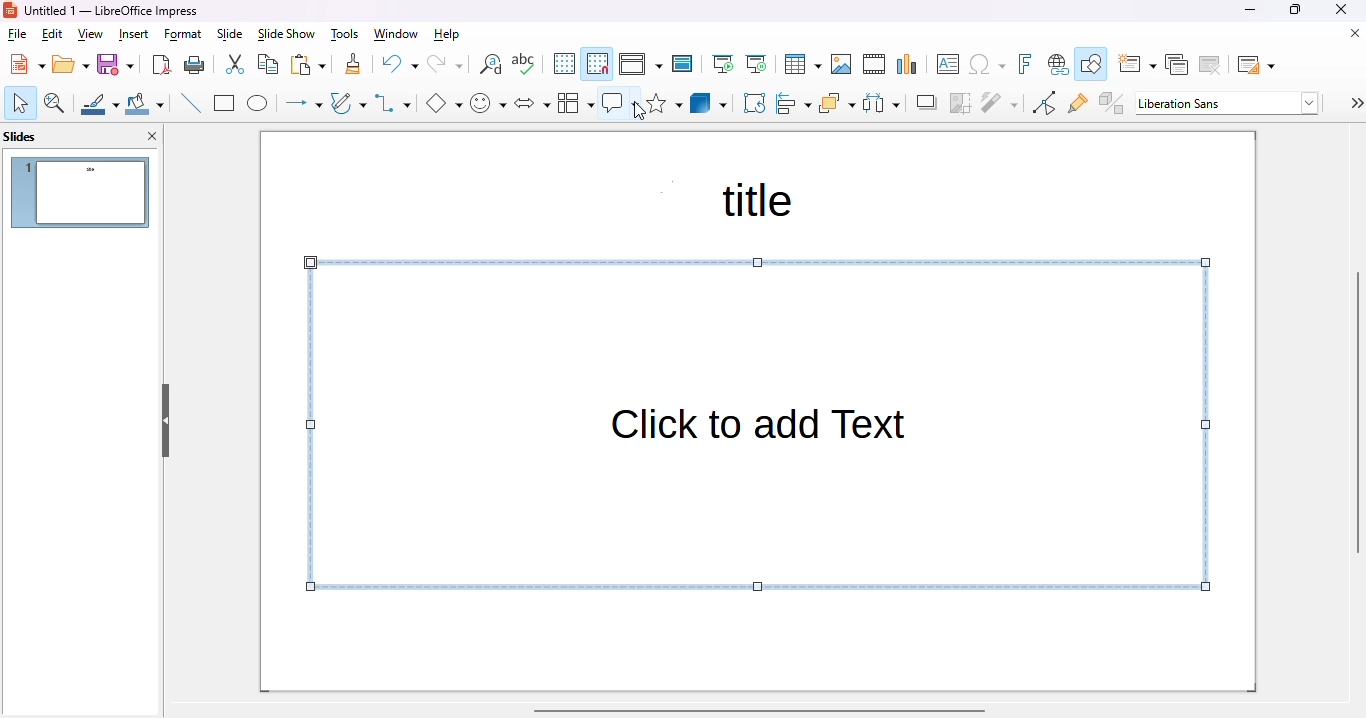 The image size is (1366, 718). I want to click on open, so click(71, 64).